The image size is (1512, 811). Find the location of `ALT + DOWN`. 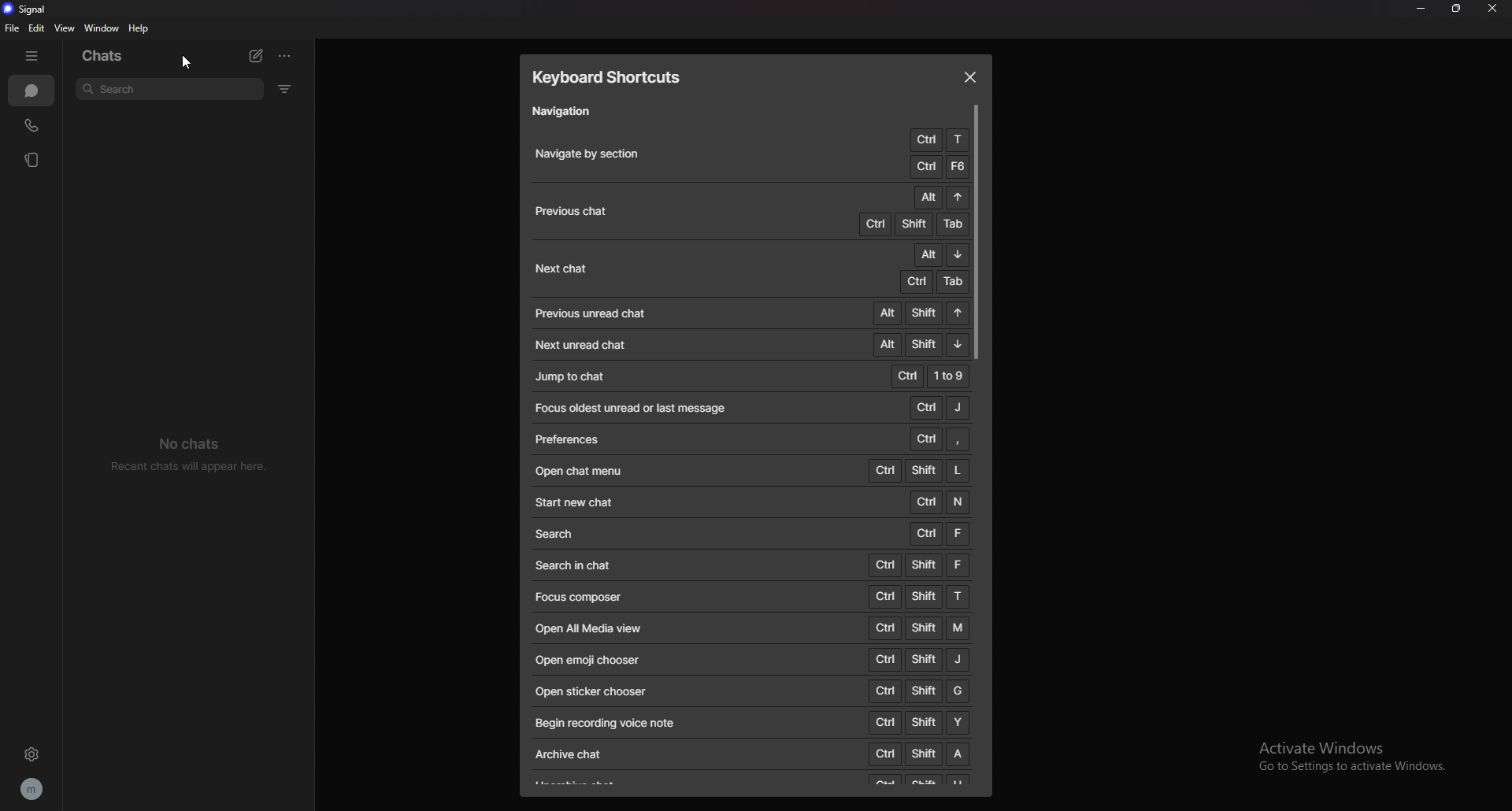

ALT + DOWN is located at coordinates (939, 255).